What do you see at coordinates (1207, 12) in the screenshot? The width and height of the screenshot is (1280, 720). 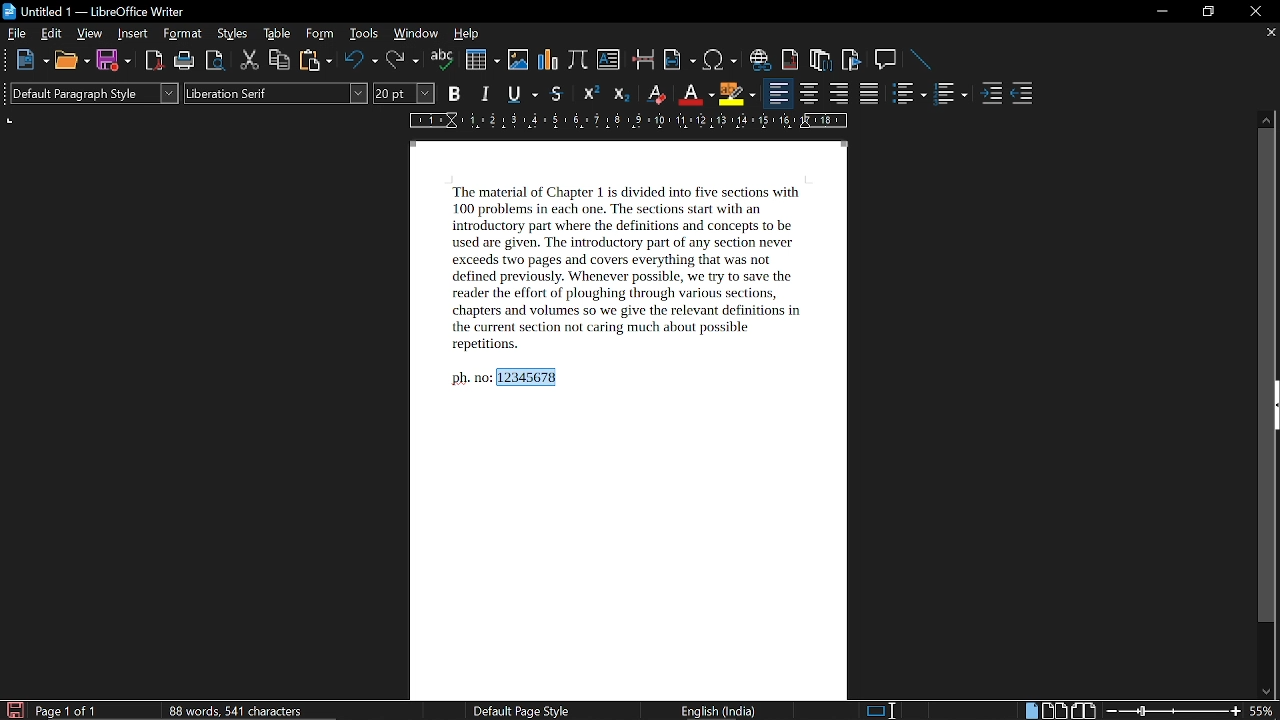 I see `restore down` at bounding box center [1207, 12].